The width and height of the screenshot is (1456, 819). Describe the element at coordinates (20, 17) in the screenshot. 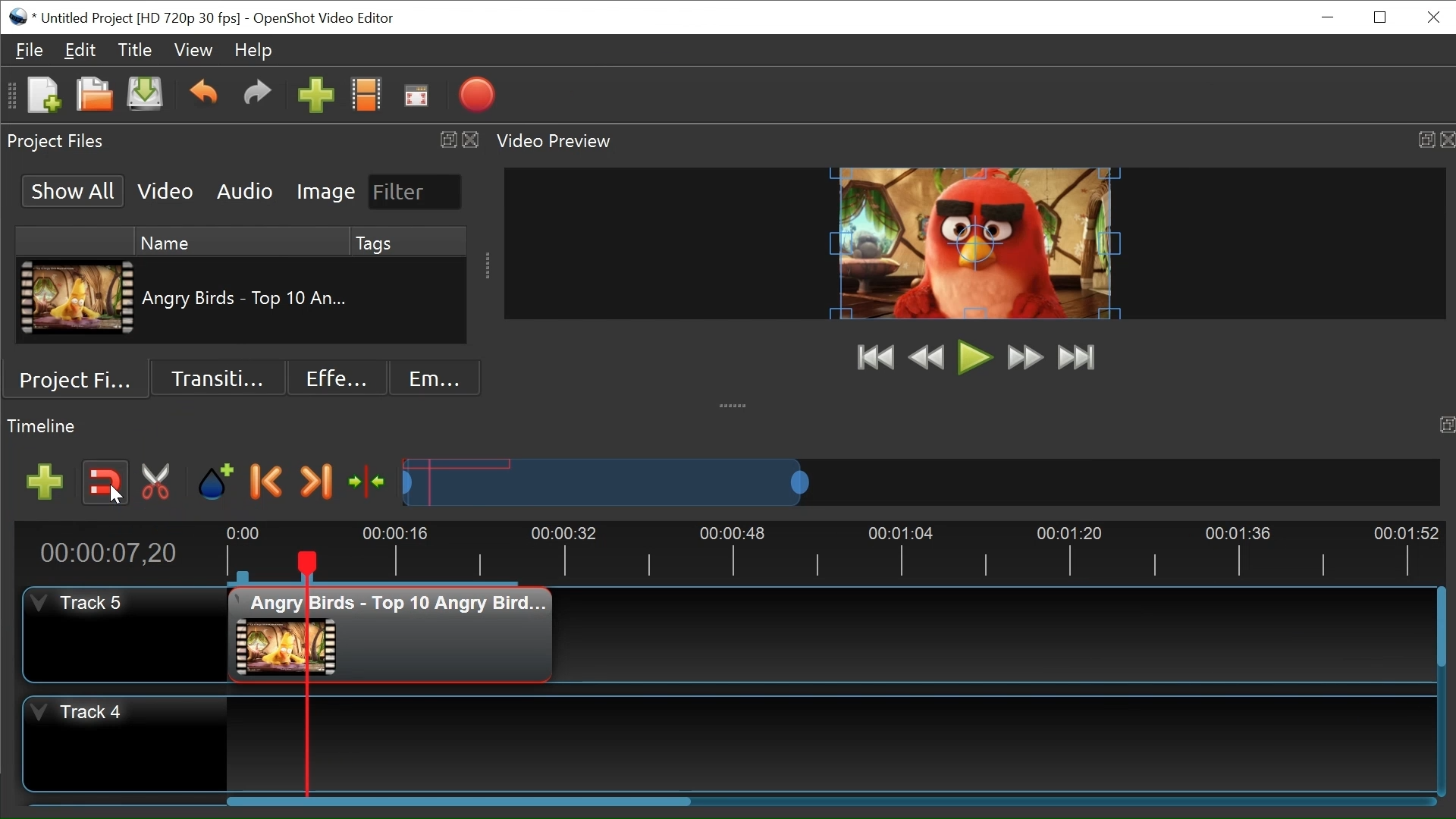

I see `OpenShot Desktop icon` at that location.